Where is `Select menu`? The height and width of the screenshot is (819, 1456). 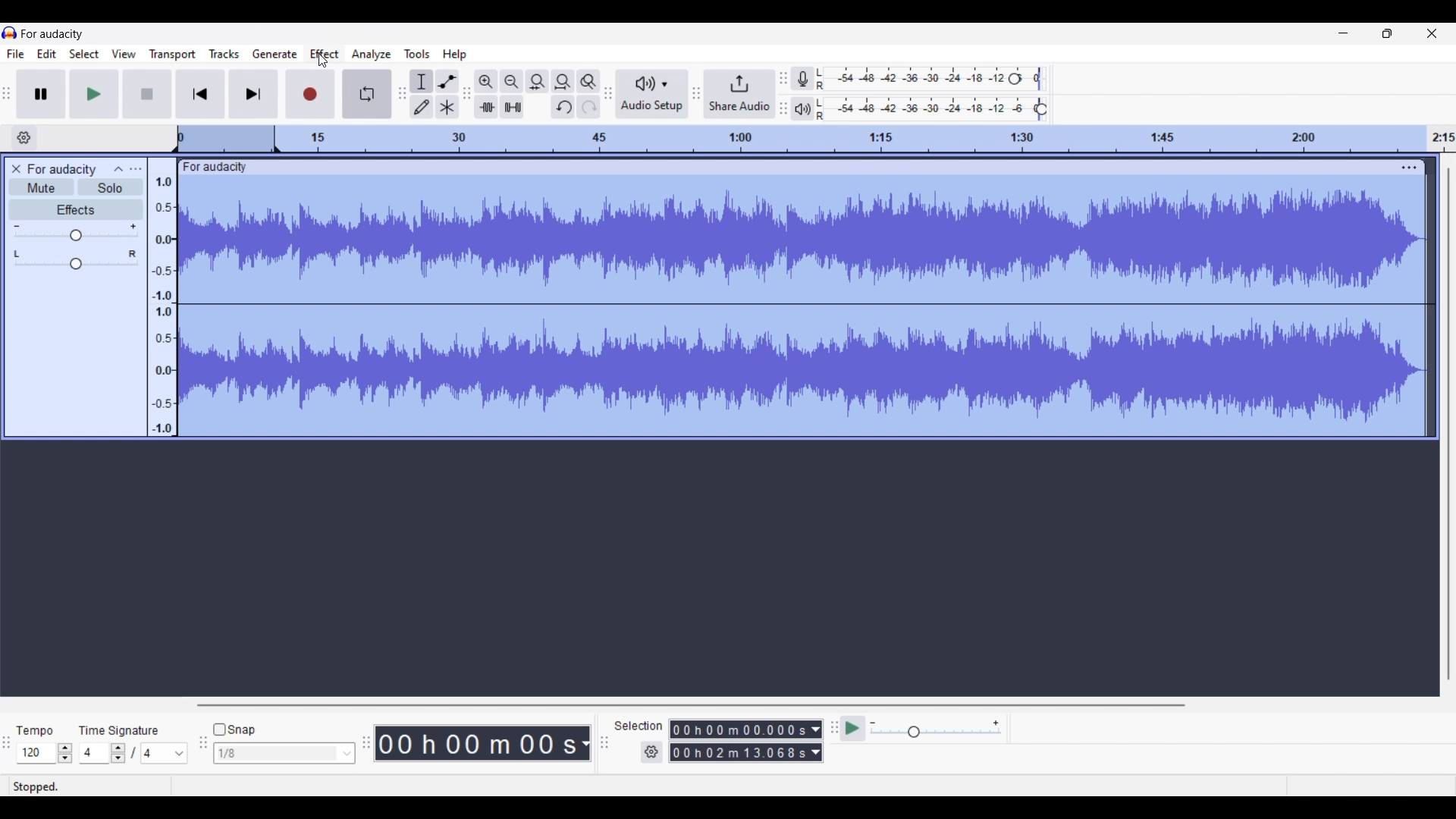
Select menu is located at coordinates (84, 55).